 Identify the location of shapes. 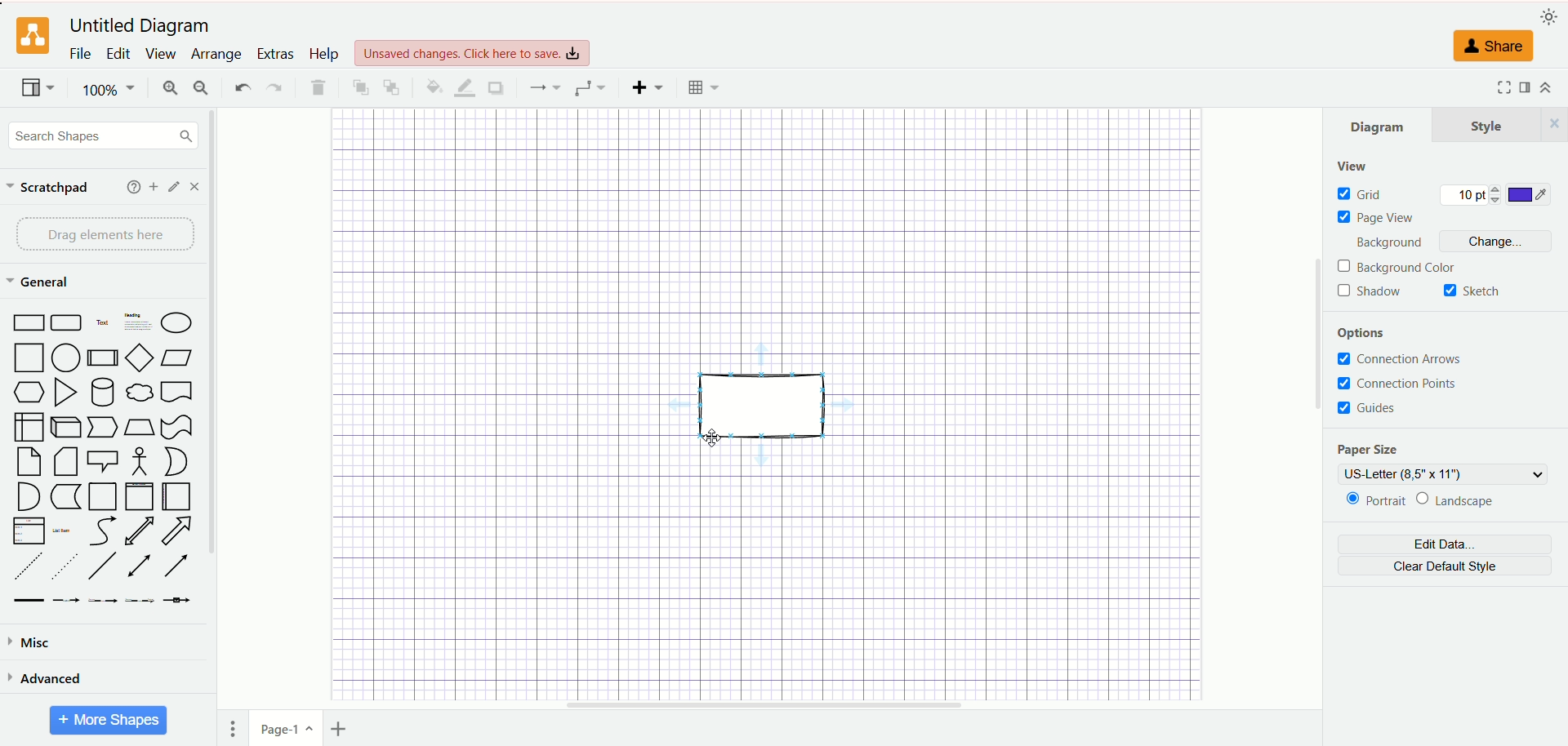
(102, 460).